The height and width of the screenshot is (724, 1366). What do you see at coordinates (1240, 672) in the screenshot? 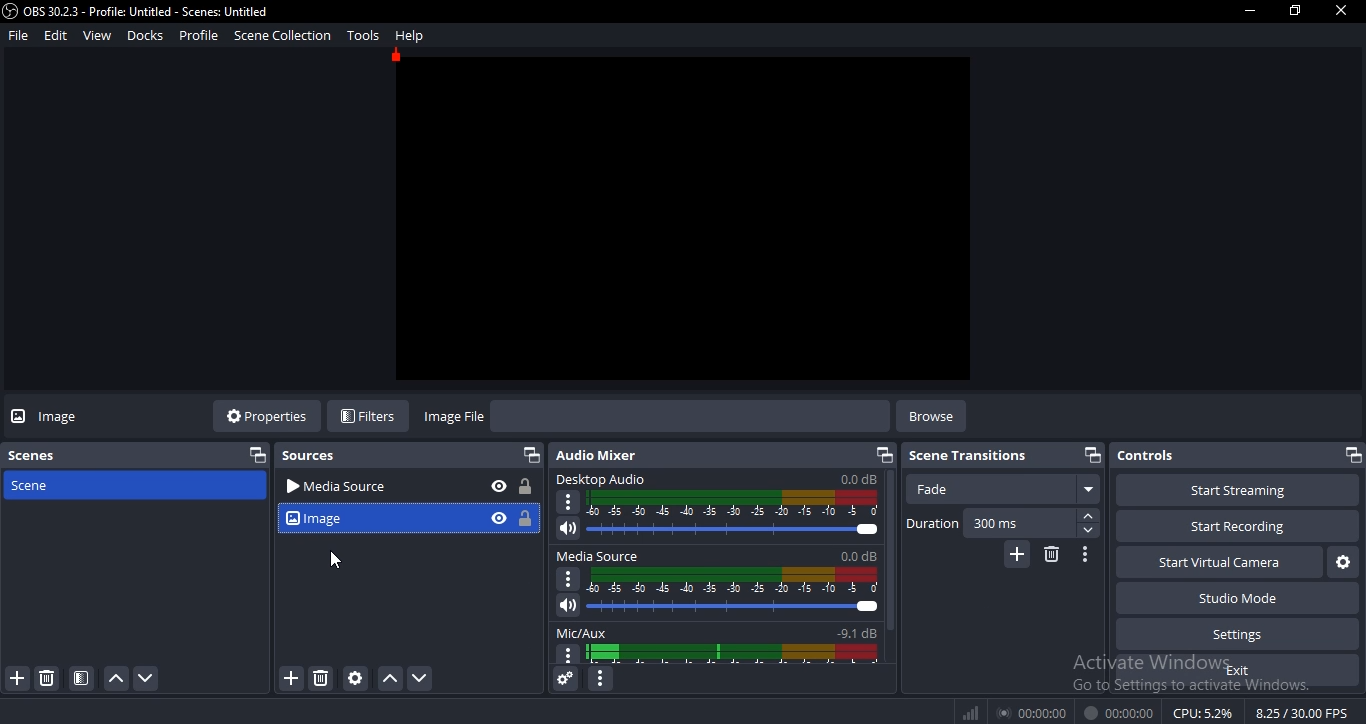
I see `exit` at bounding box center [1240, 672].